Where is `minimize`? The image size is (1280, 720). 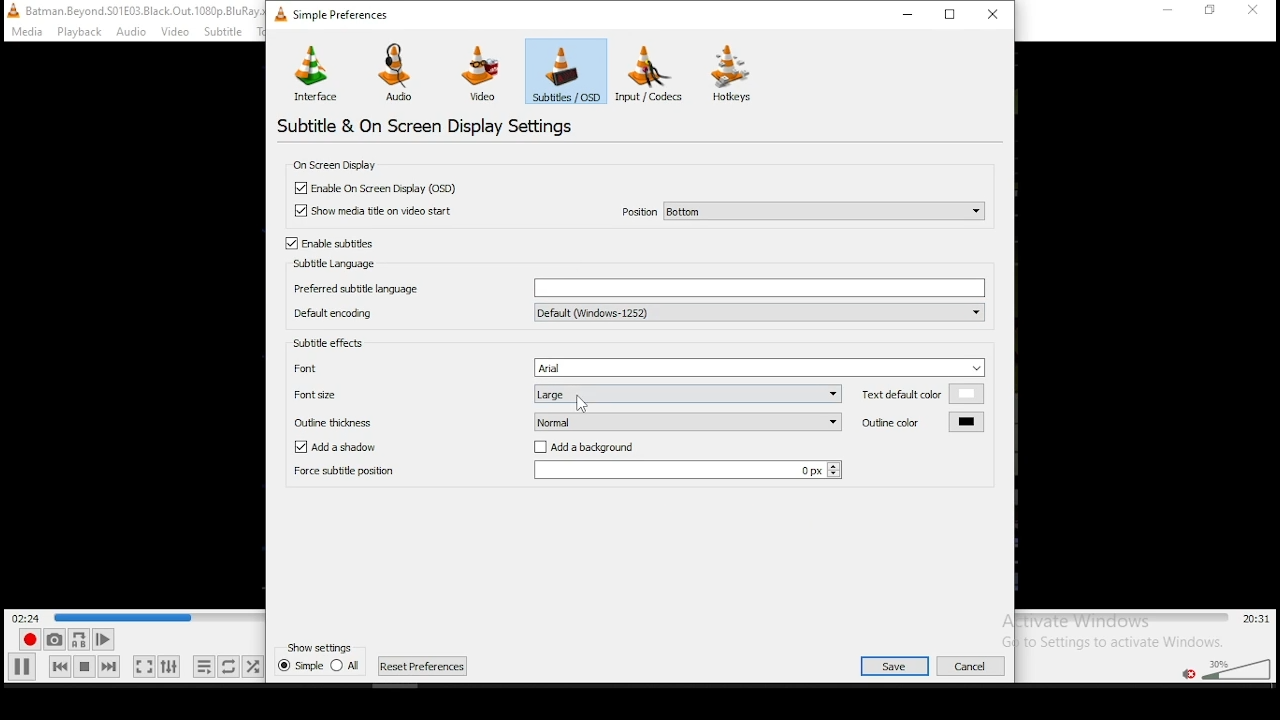
minimize is located at coordinates (1170, 10).